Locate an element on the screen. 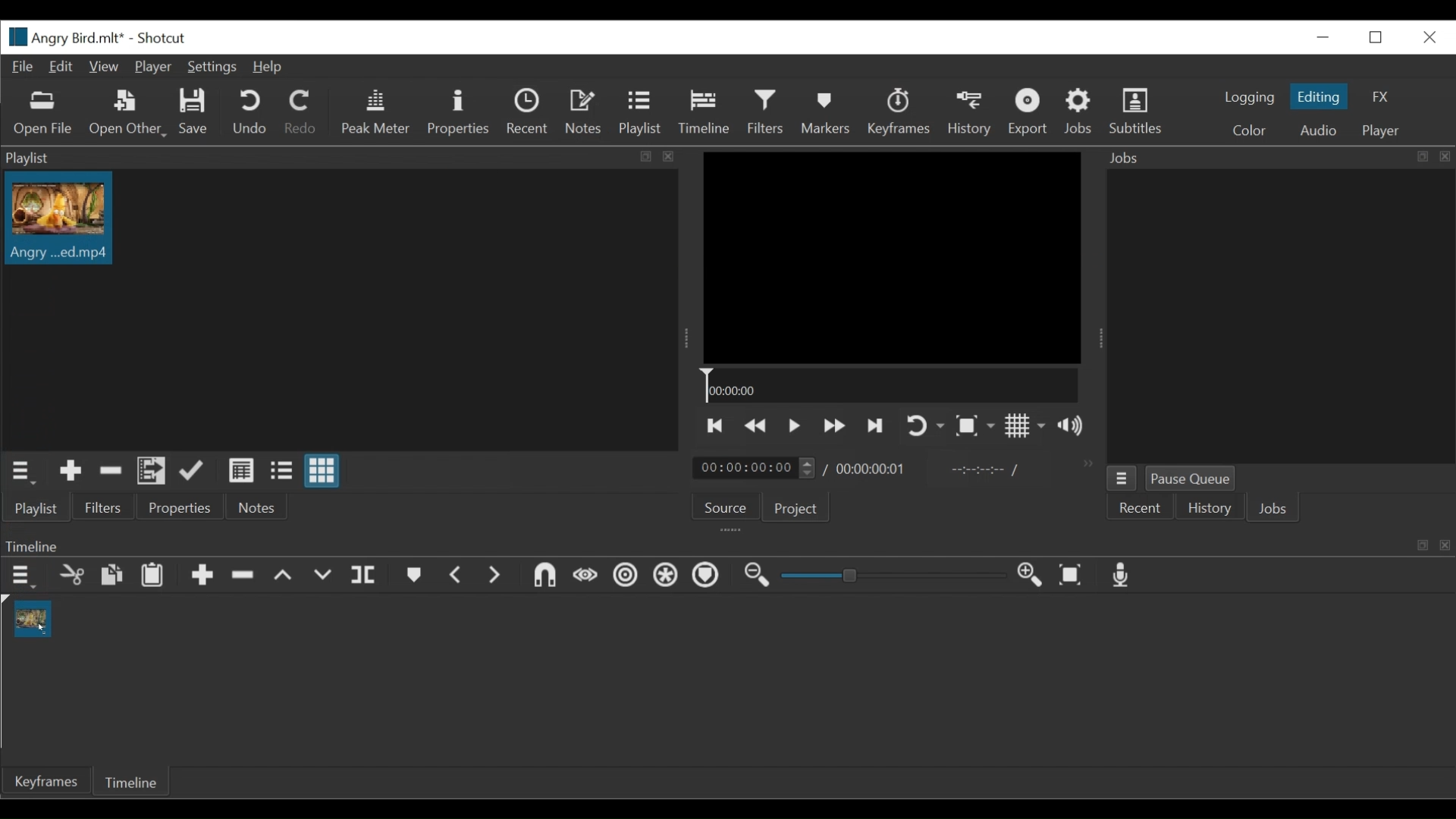  copy is located at coordinates (109, 574).